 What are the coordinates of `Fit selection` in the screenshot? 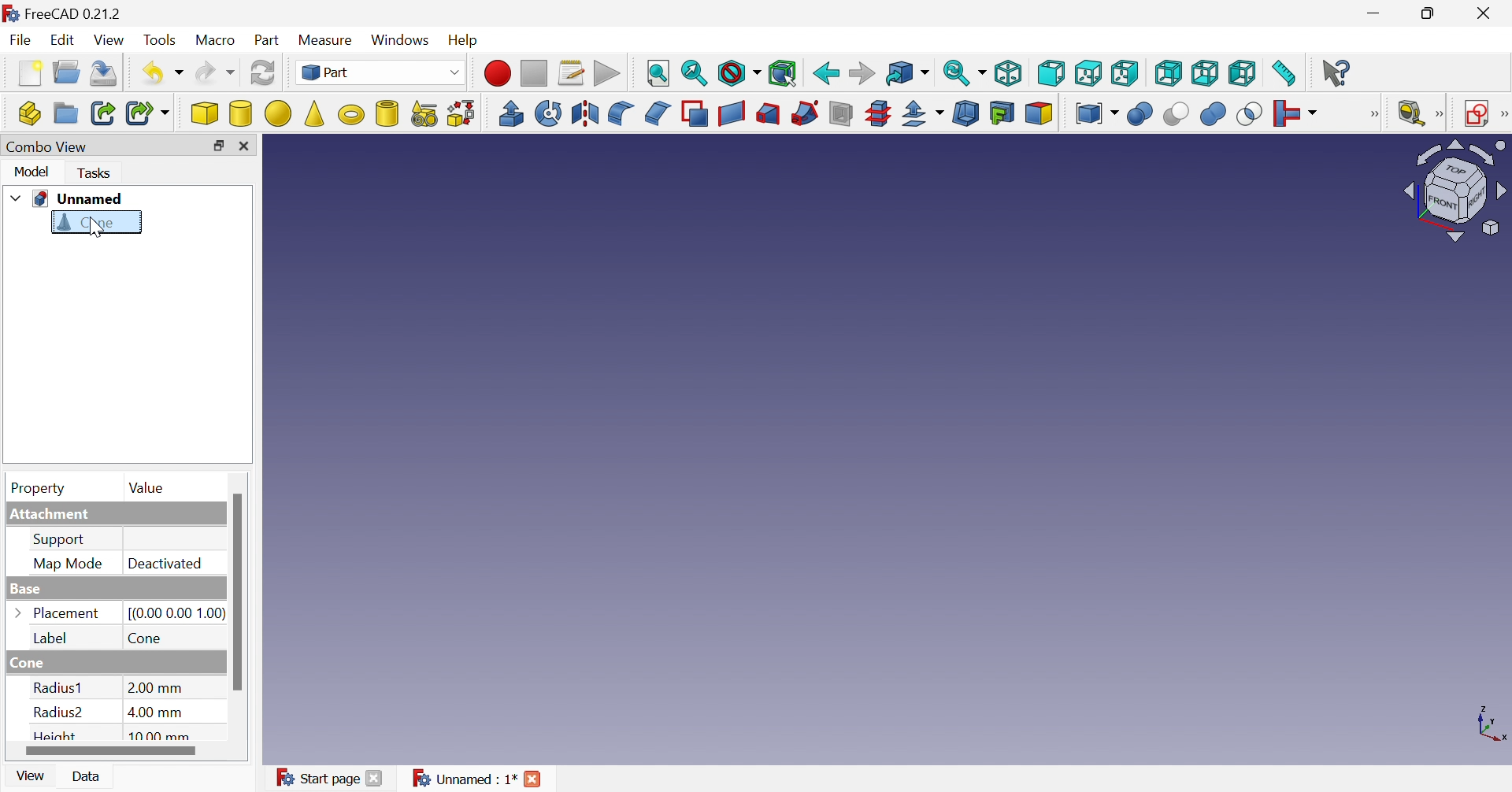 It's located at (694, 73).